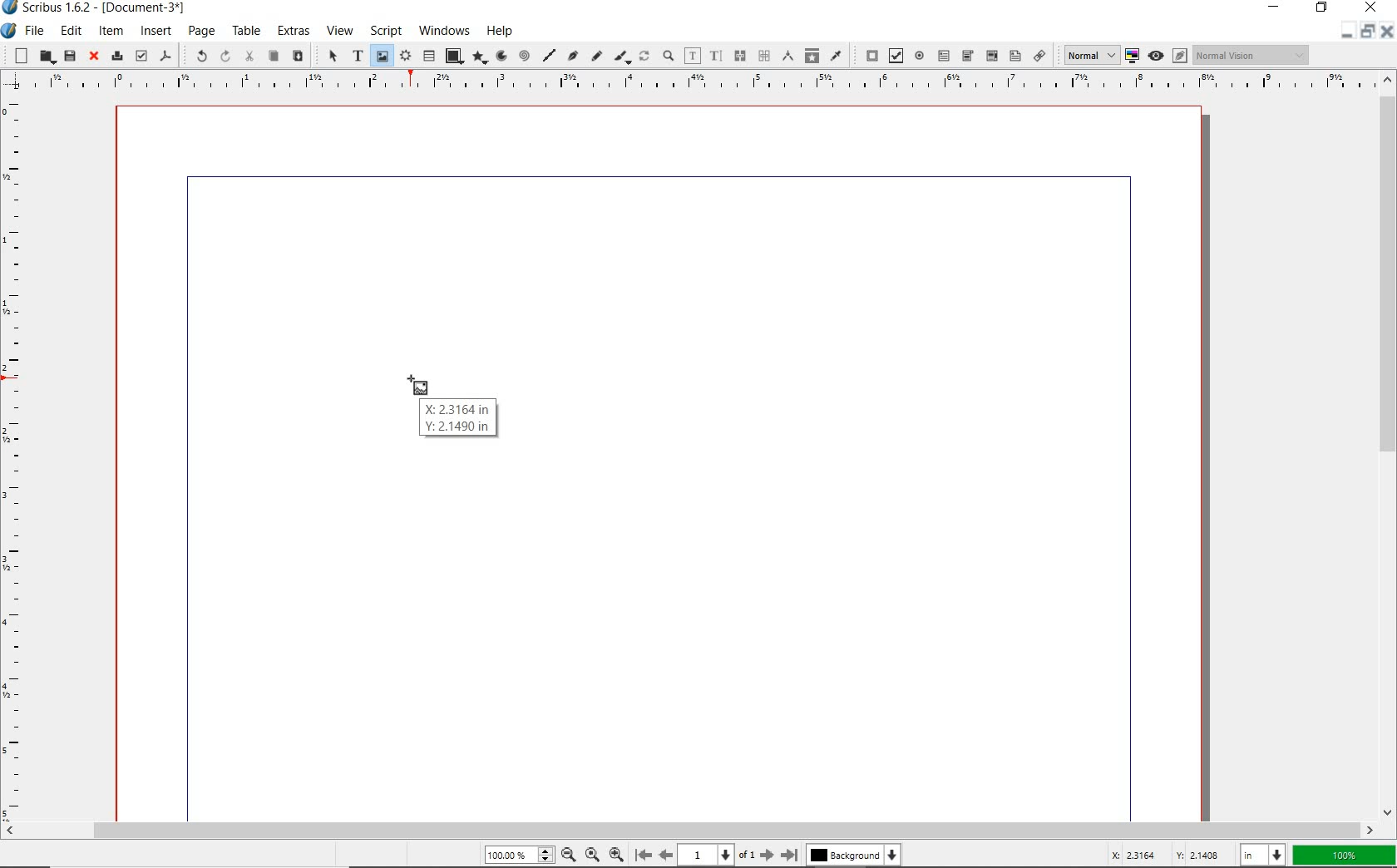 Image resolution: width=1397 pixels, height=868 pixels. What do you see at coordinates (17, 454) in the screenshot?
I see `RULER` at bounding box center [17, 454].